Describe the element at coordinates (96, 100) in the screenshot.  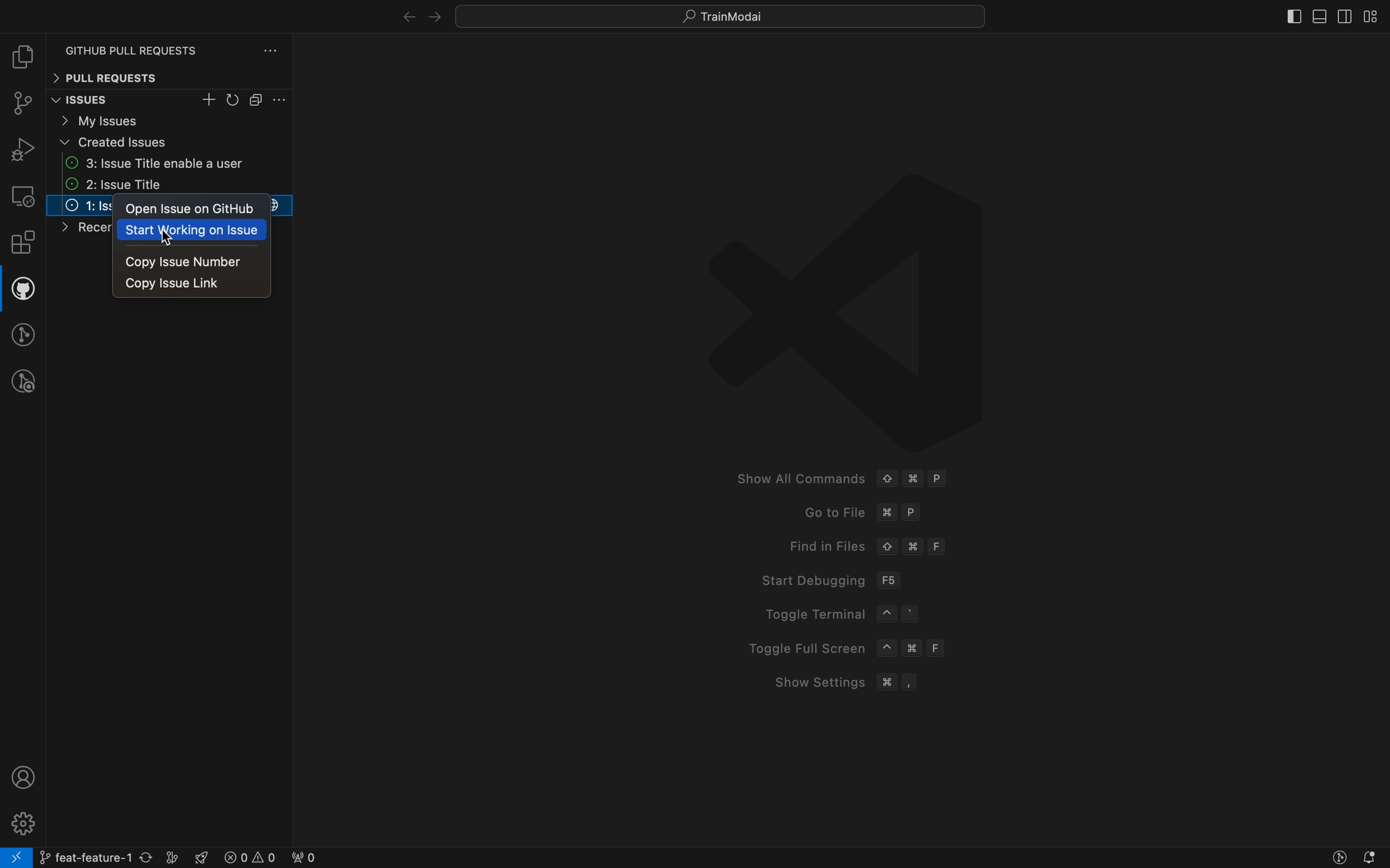
I see `issues` at that location.